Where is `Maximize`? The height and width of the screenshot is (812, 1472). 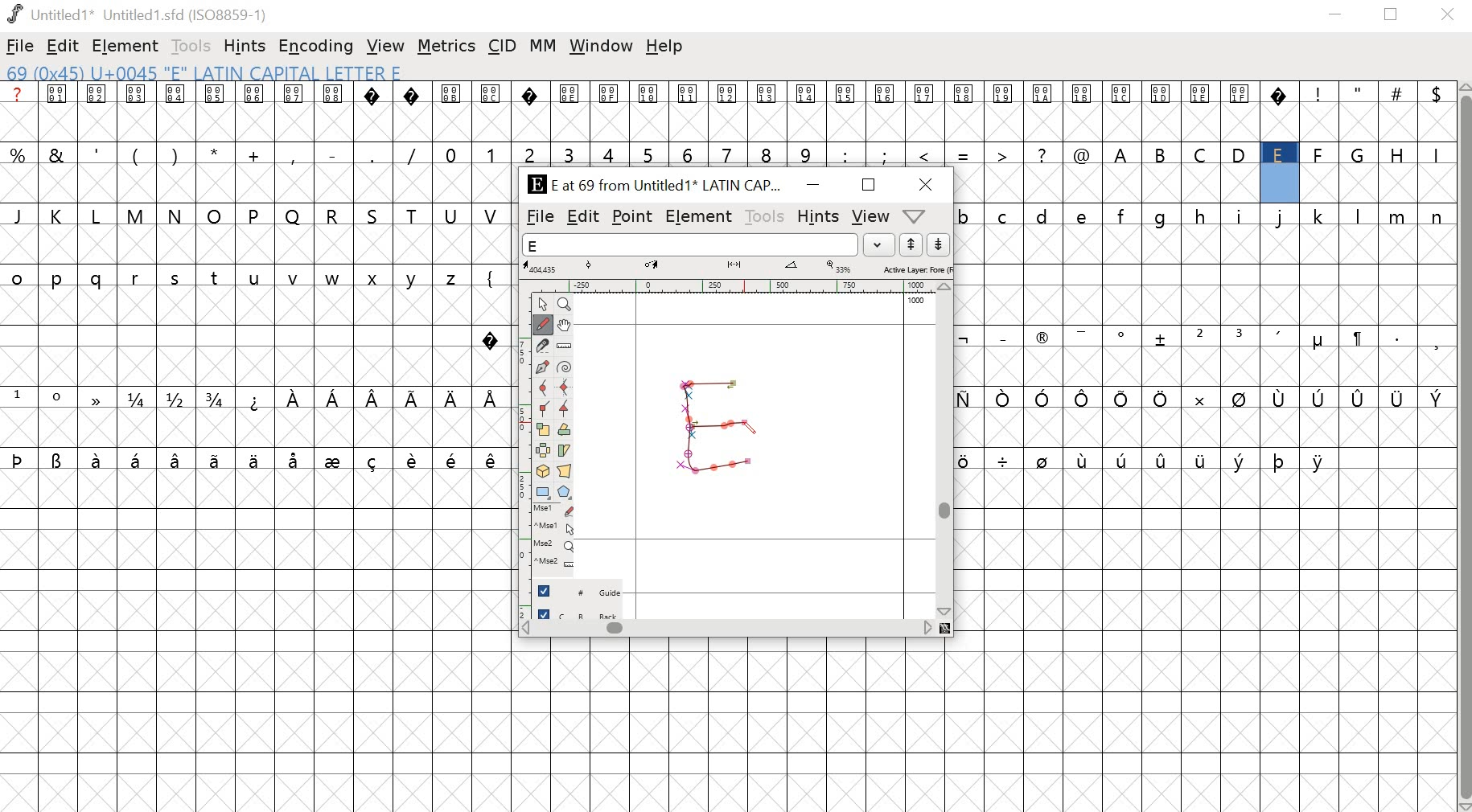
Maximize is located at coordinates (866, 184).